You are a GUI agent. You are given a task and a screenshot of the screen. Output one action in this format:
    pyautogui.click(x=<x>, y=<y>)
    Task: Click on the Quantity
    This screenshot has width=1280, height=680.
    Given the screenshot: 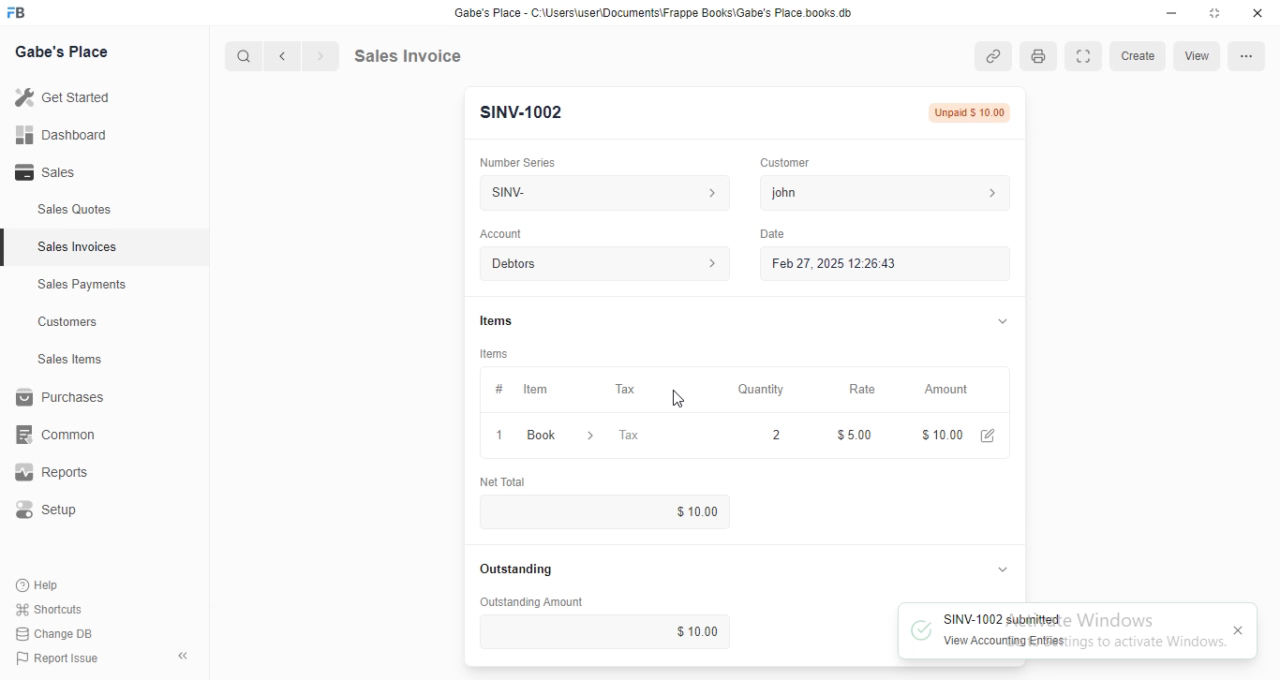 What is the action you would take?
    pyautogui.click(x=753, y=437)
    